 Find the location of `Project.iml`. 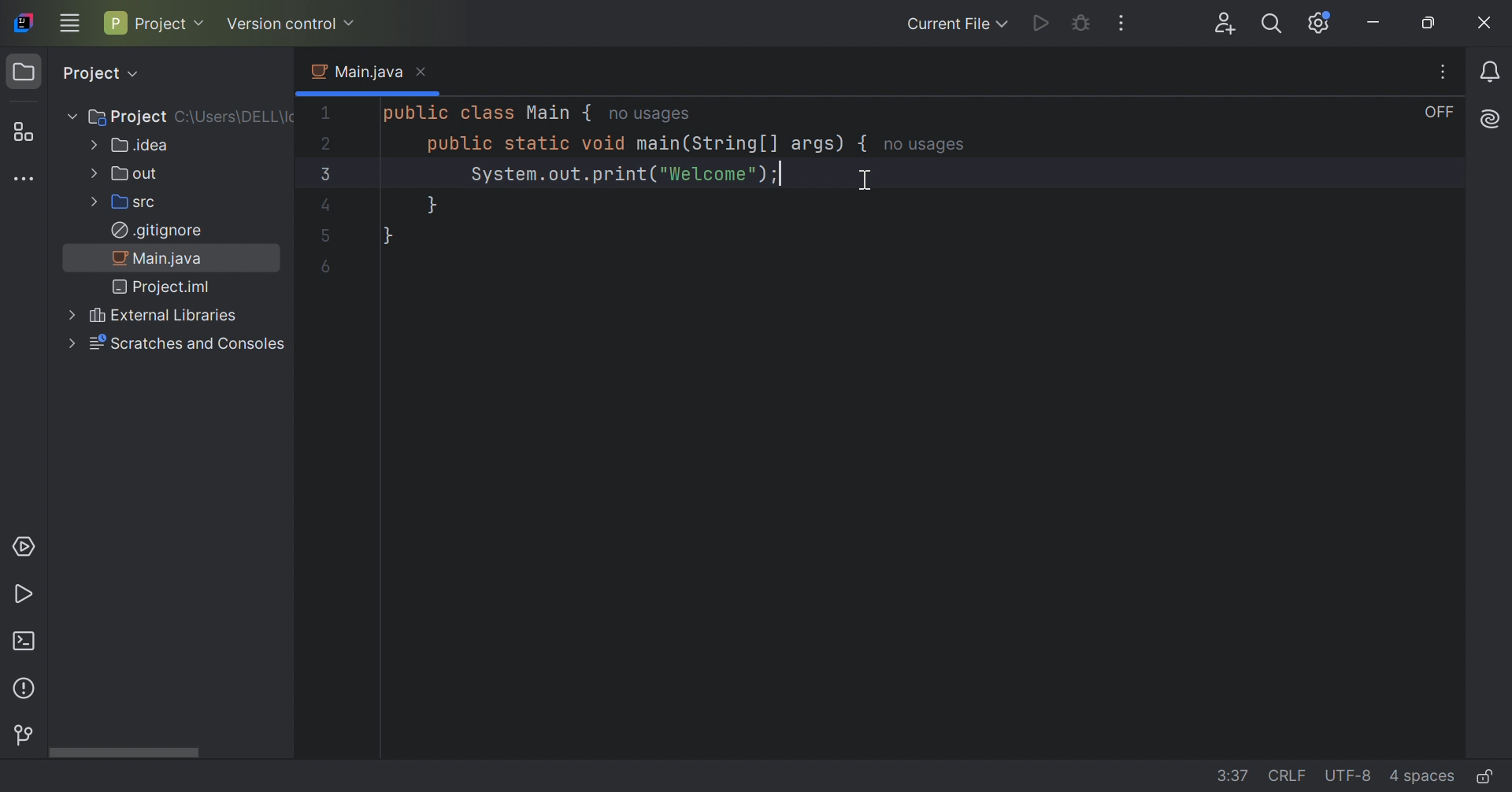

Project.iml is located at coordinates (163, 289).